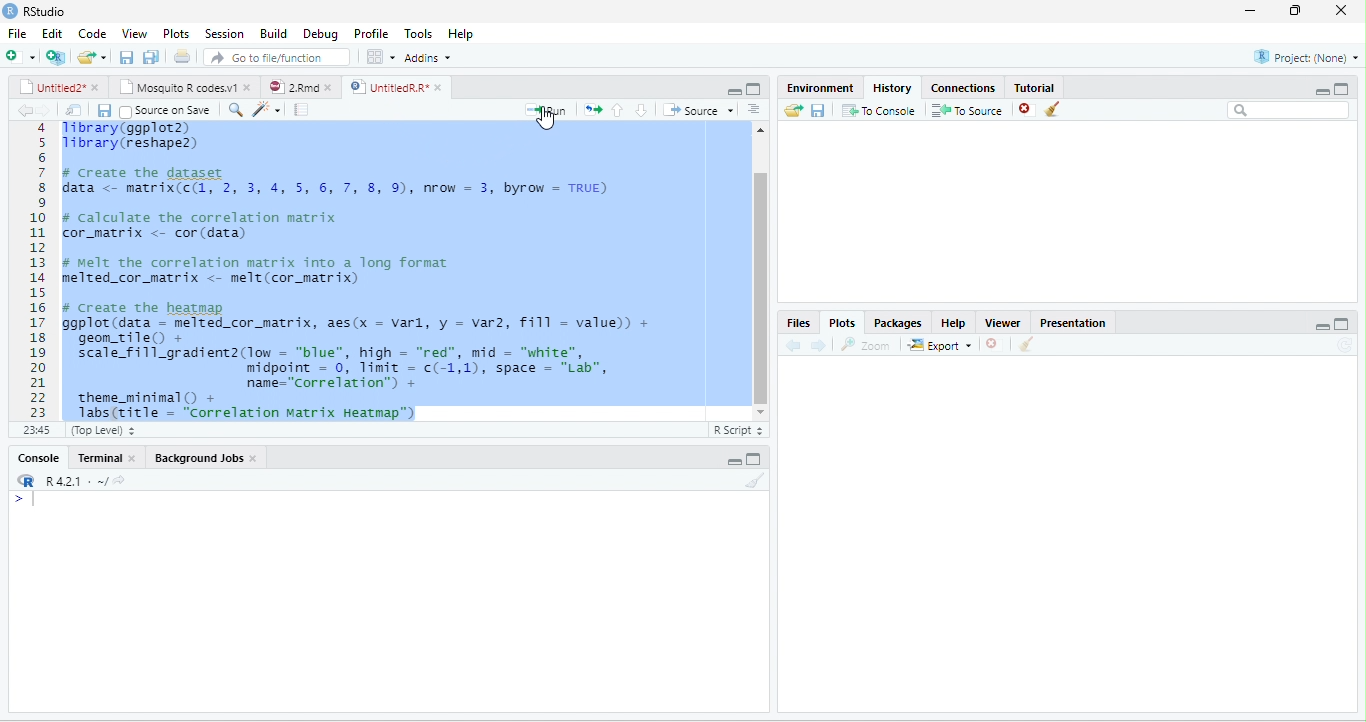 The image size is (1366, 722). I want to click on export, so click(940, 347).